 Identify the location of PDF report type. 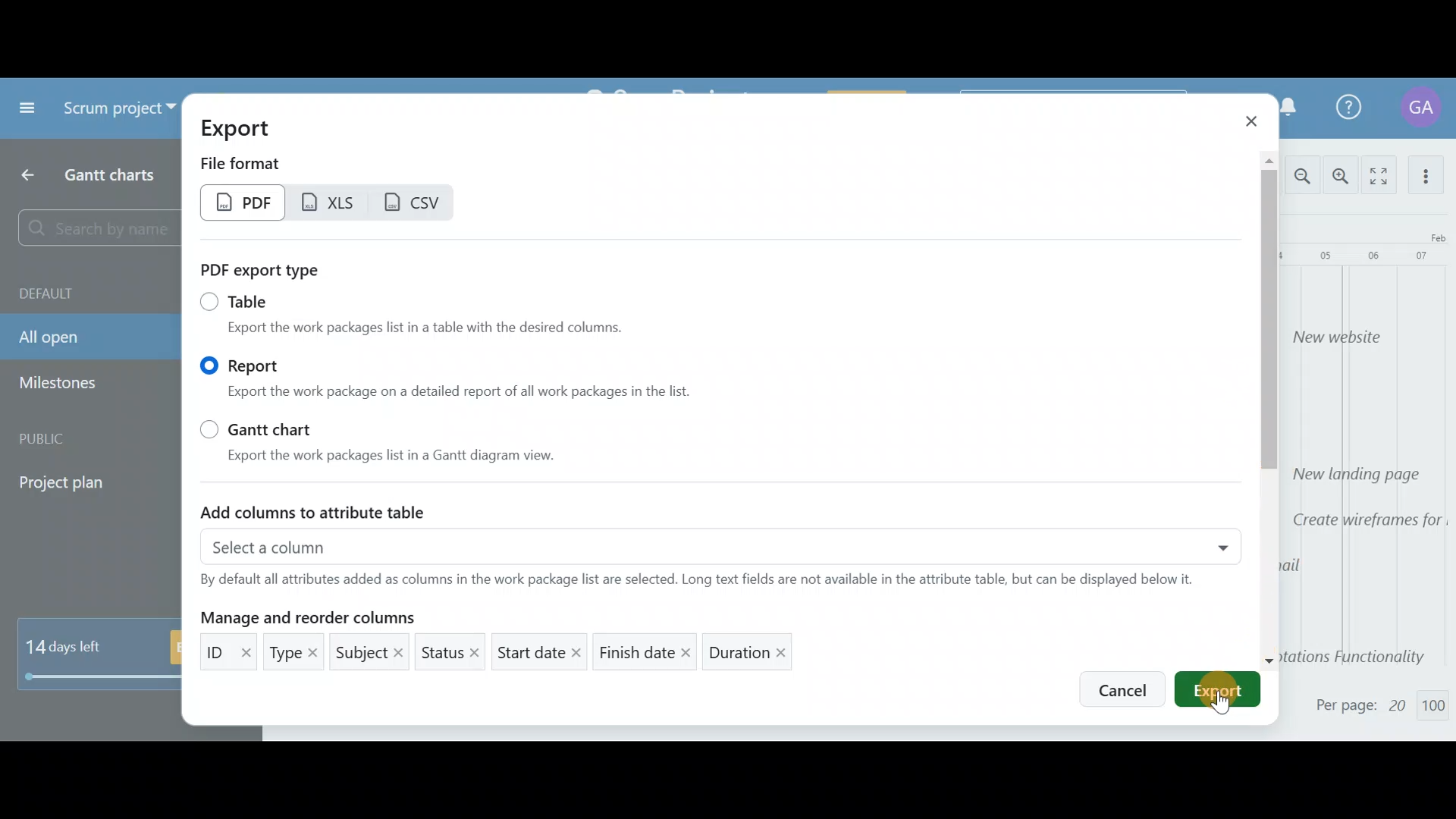
(268, 271).